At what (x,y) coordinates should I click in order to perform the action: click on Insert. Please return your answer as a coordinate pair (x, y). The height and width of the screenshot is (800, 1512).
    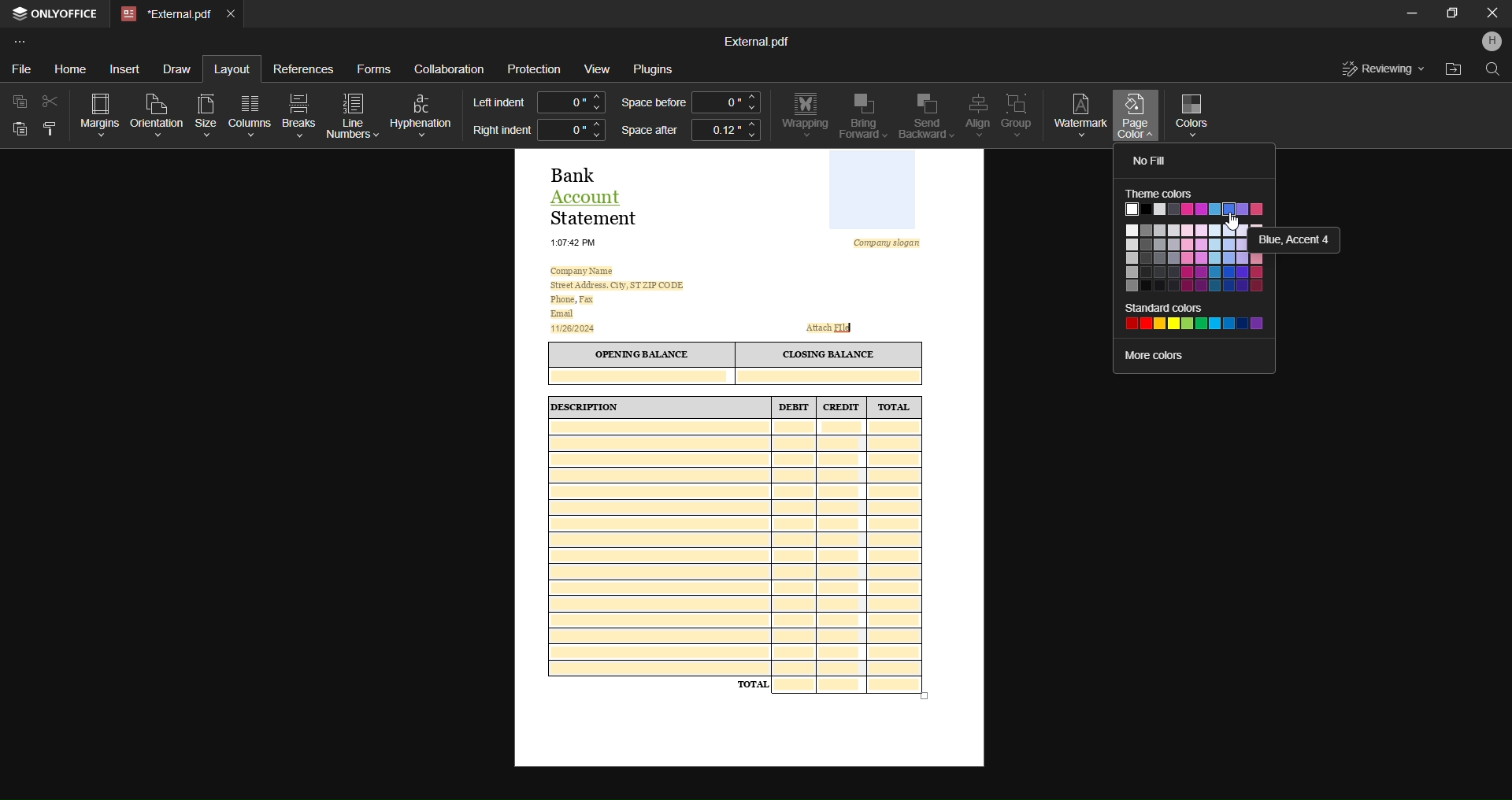
    Looking at the image, I should click on (128, 69).